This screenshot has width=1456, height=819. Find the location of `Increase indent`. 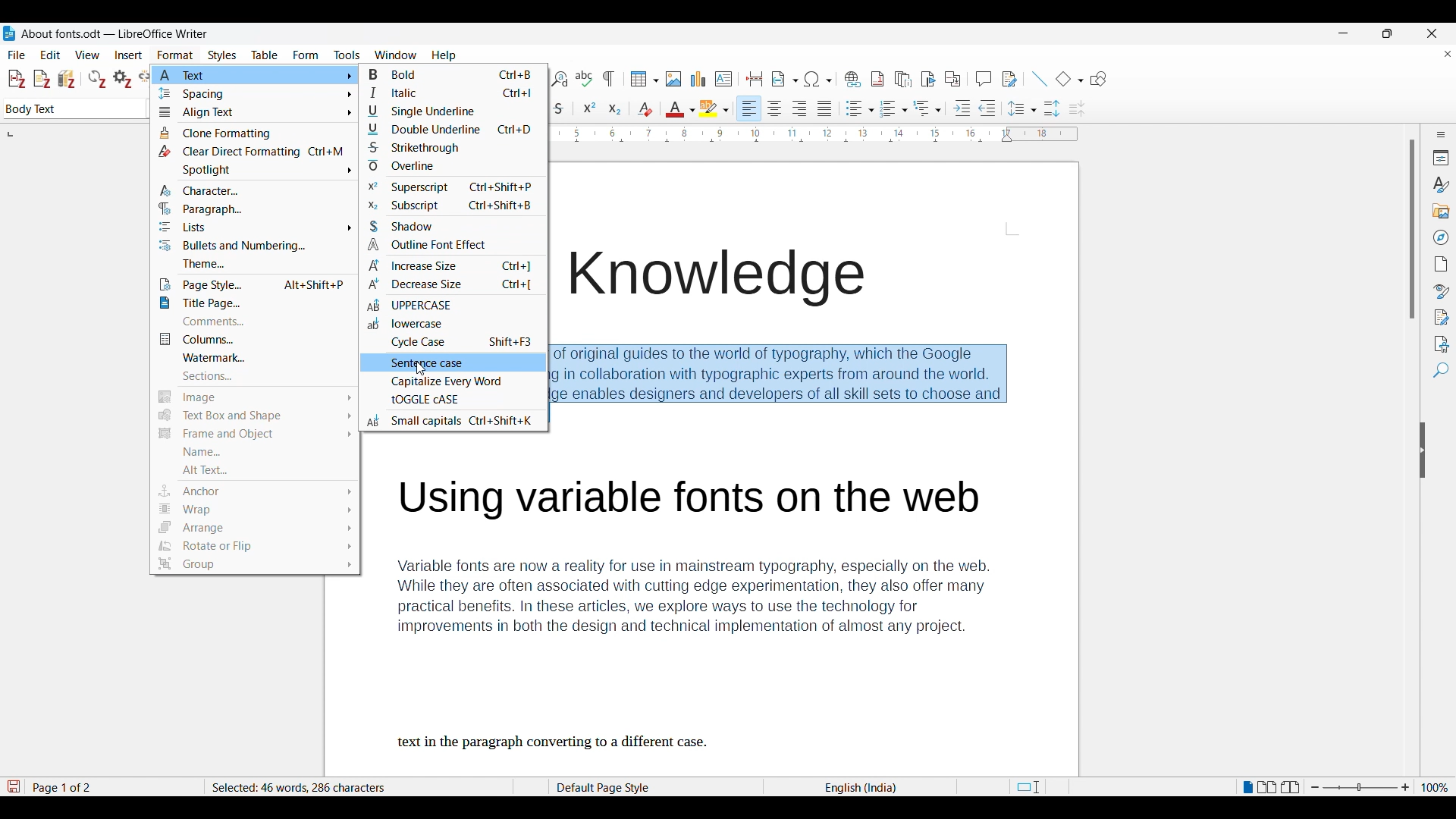

Increase indent is located at coordinates (962, 108).